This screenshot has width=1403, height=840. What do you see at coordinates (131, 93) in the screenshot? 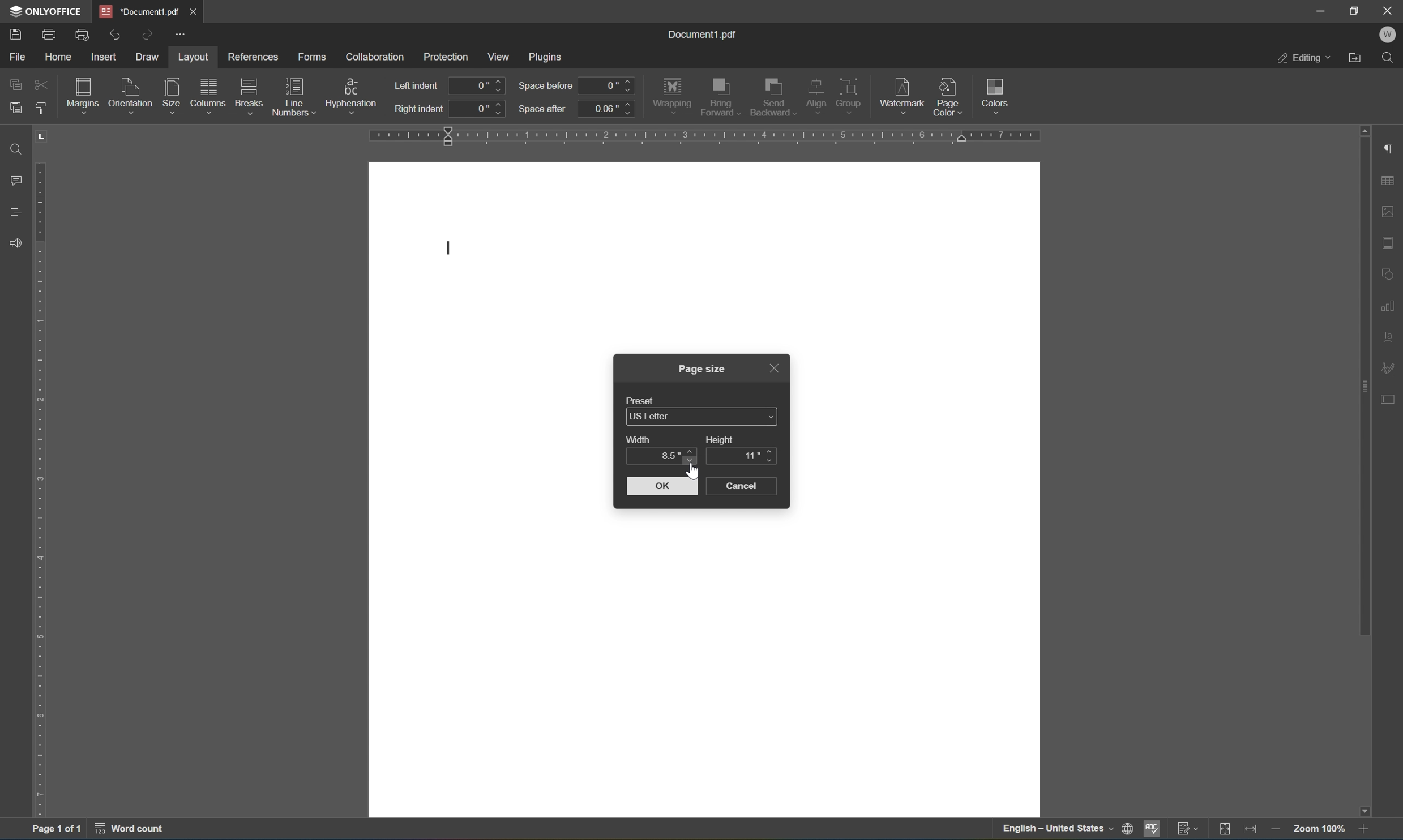
I see `orientation` at bounding box center [131, 93].